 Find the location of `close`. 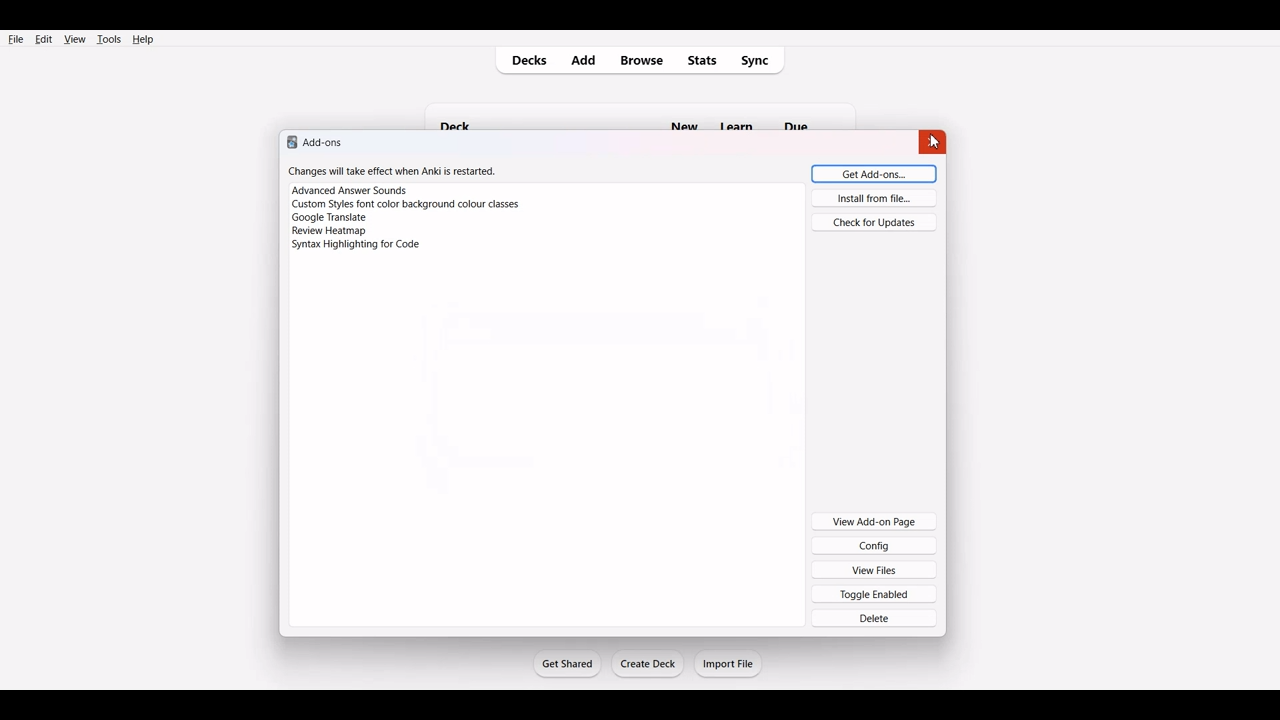

close is located at coordinates (930, 140).